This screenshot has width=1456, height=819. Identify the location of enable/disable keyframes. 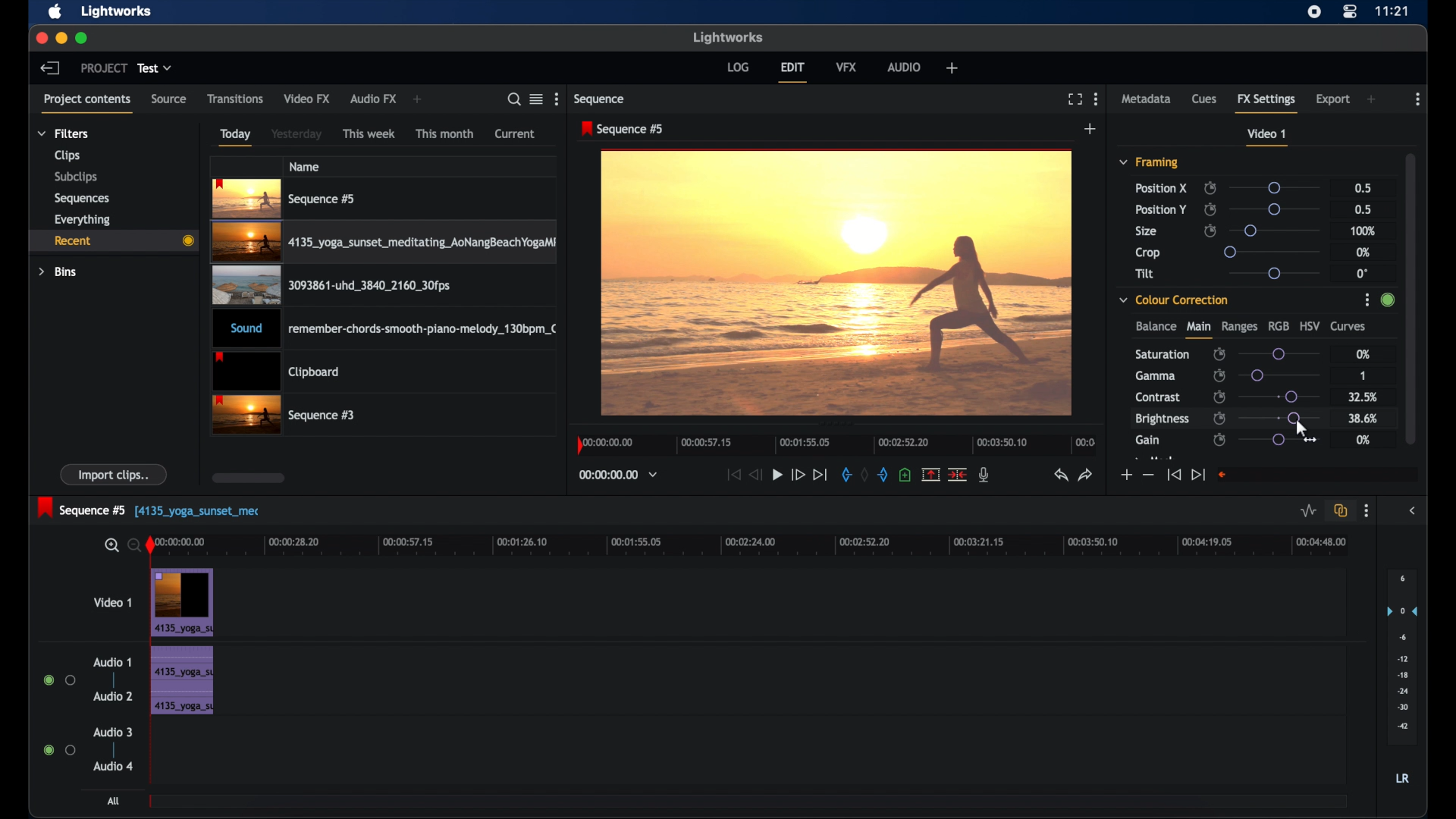
(1210, 209).